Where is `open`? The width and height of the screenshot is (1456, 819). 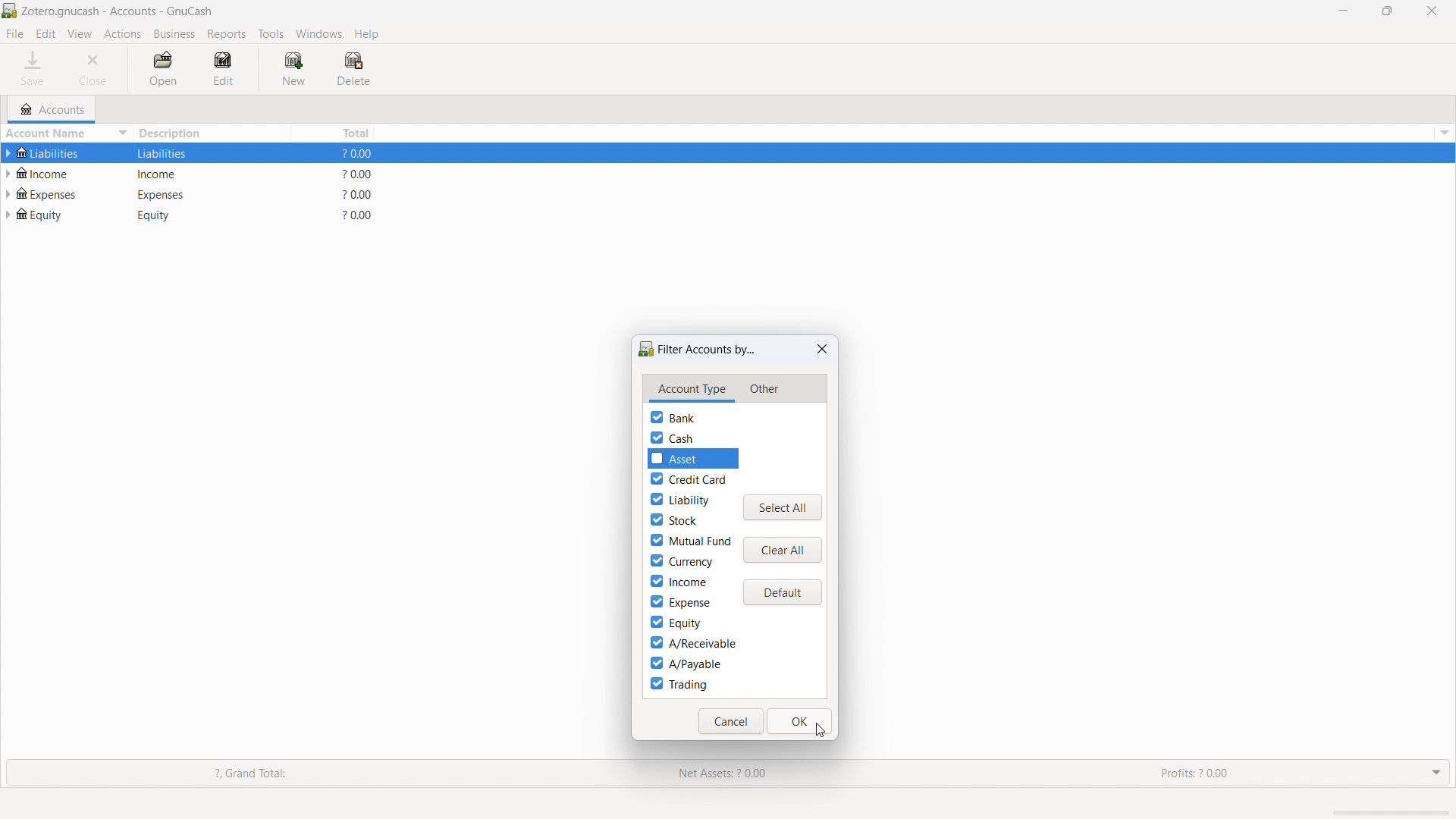
open is located at coordinates (163, 70).